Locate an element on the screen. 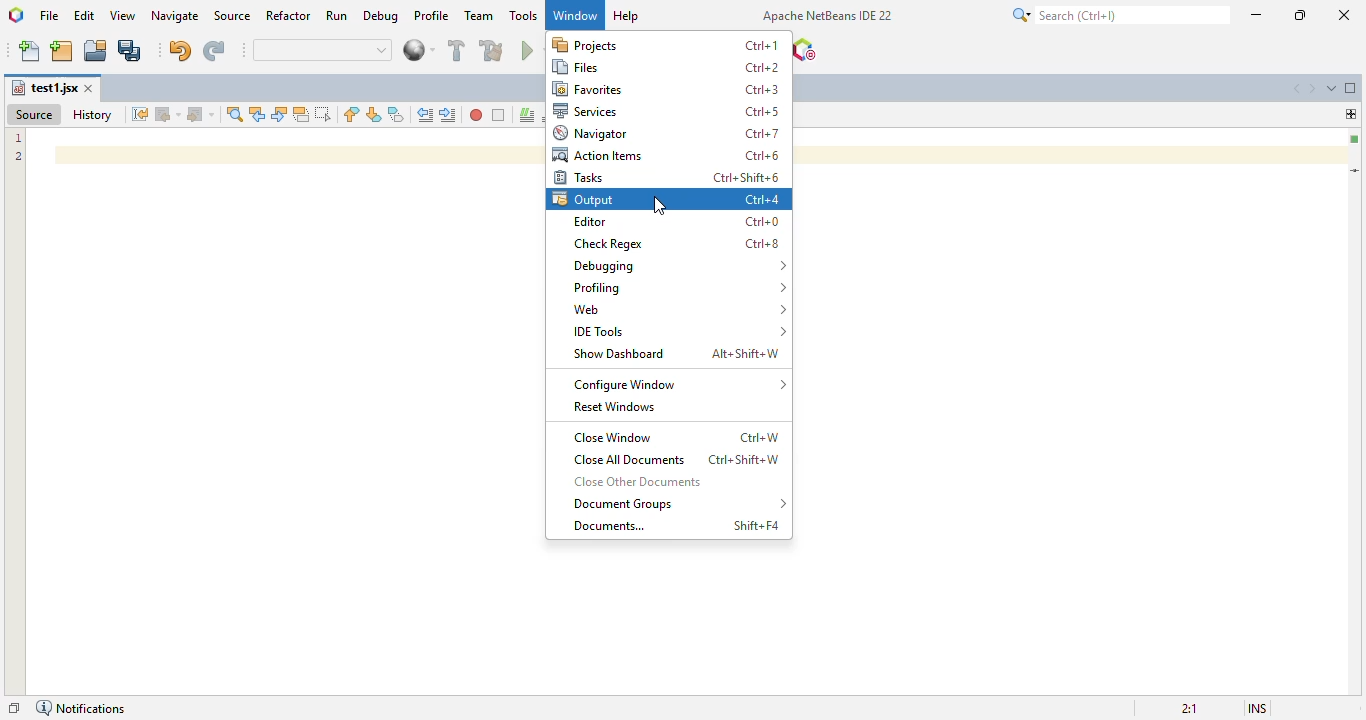  pause I/O checks is located at coordinates (803, 49).